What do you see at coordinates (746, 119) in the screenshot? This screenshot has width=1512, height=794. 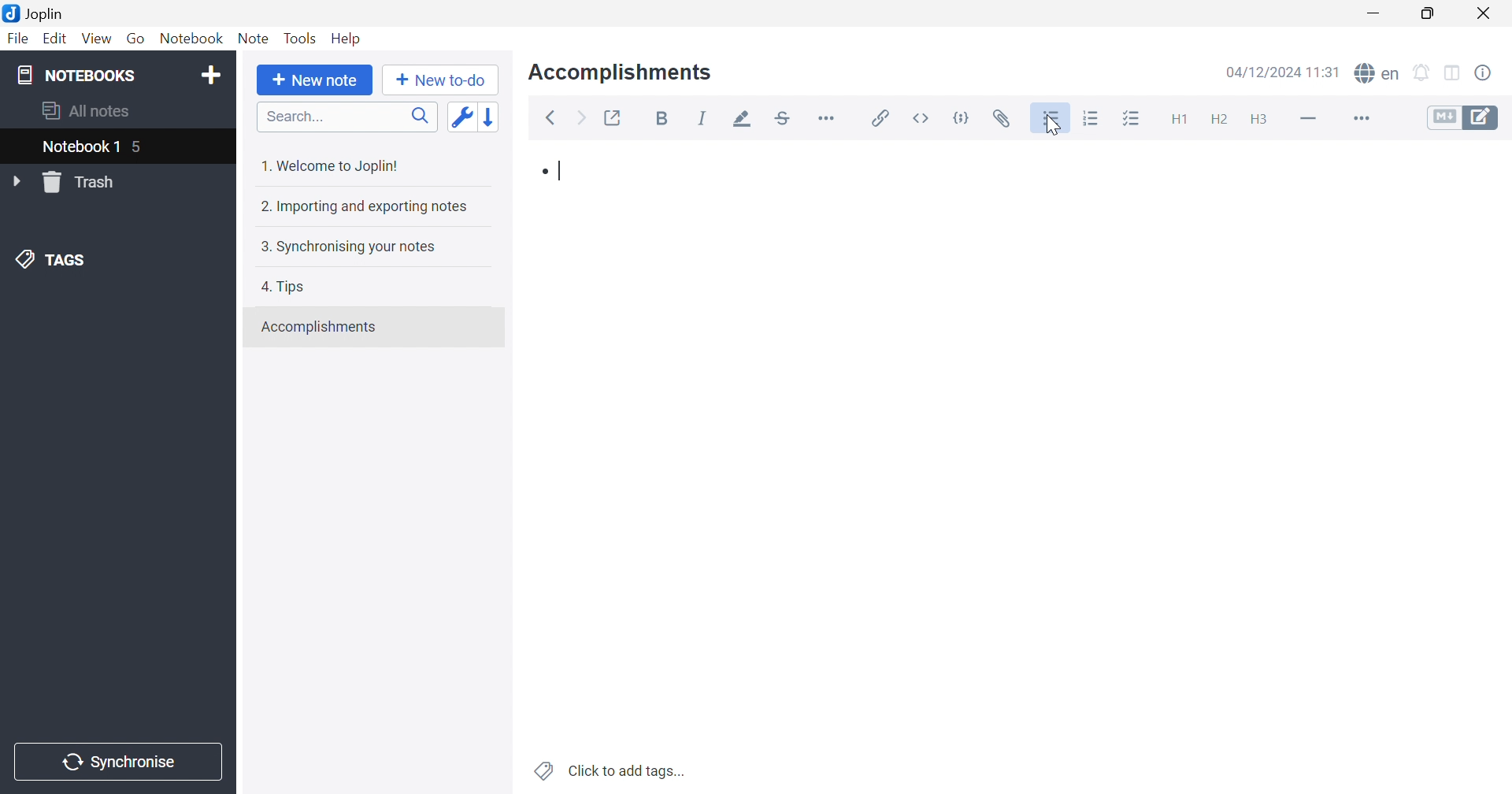 I see `Highlight` at bounding box center [746, 119].